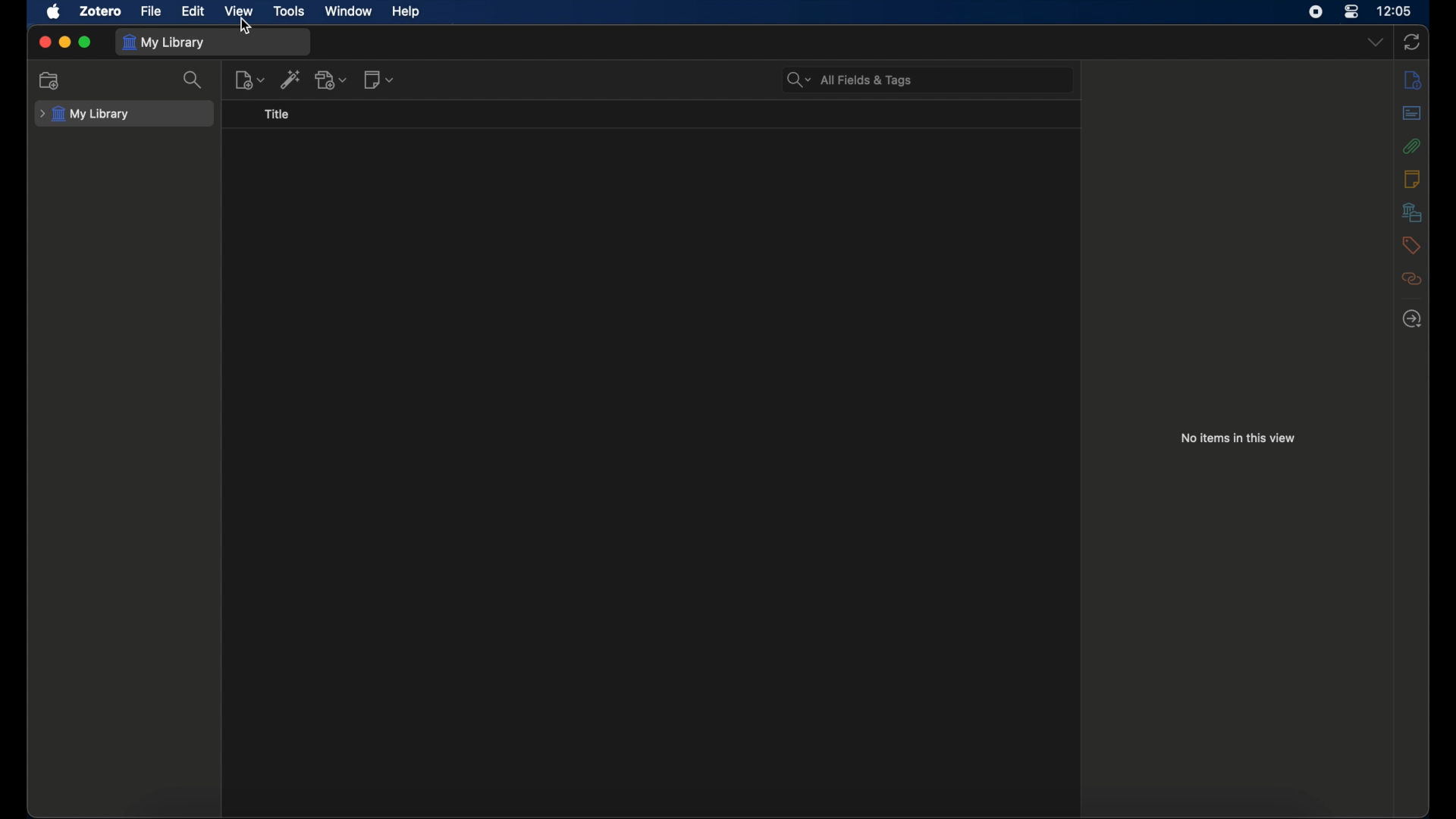  Describe the element at coordinates (195, 12) in the screenshot. I see `edit` at that location.